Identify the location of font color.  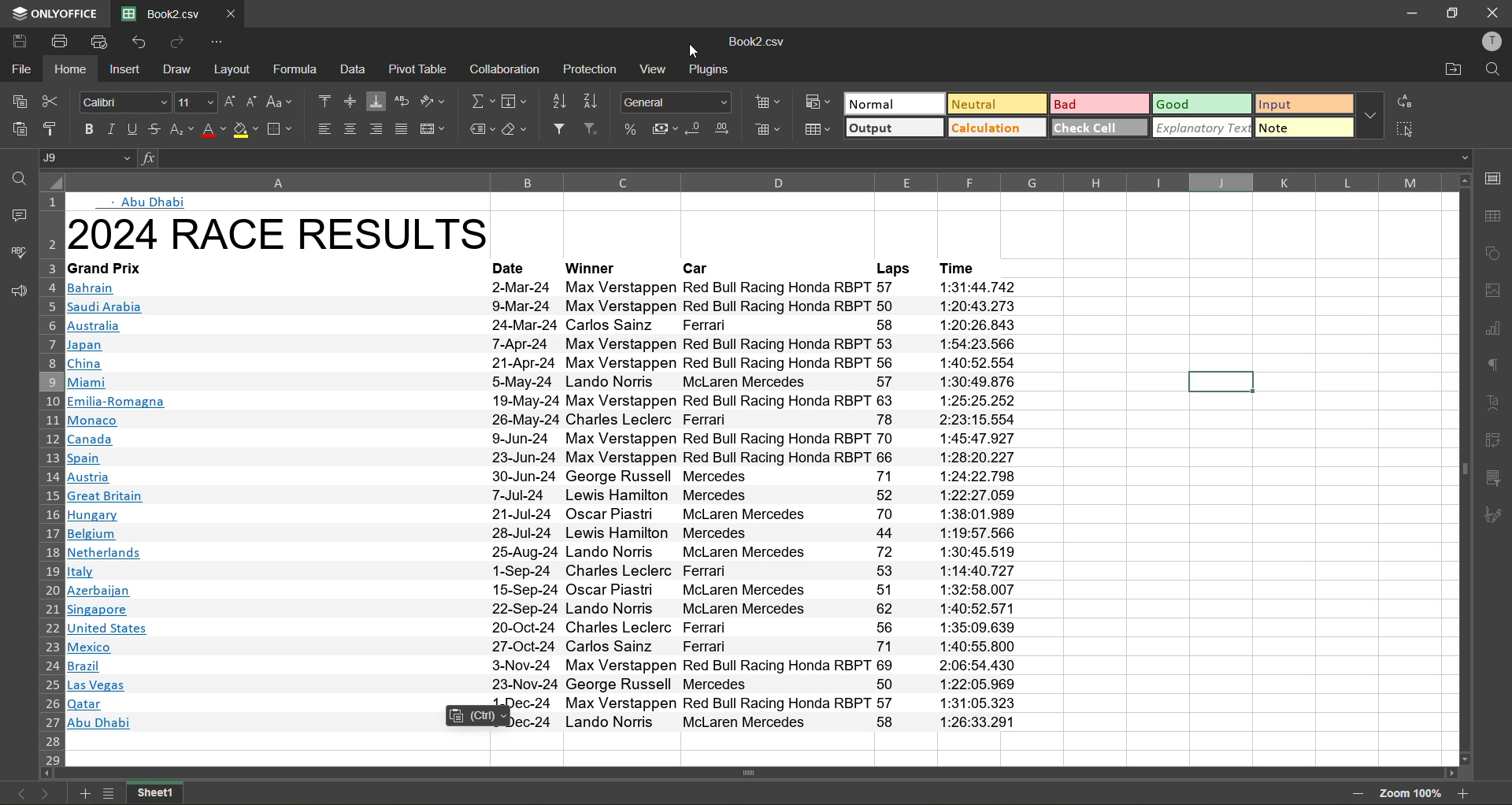
(217, 128).